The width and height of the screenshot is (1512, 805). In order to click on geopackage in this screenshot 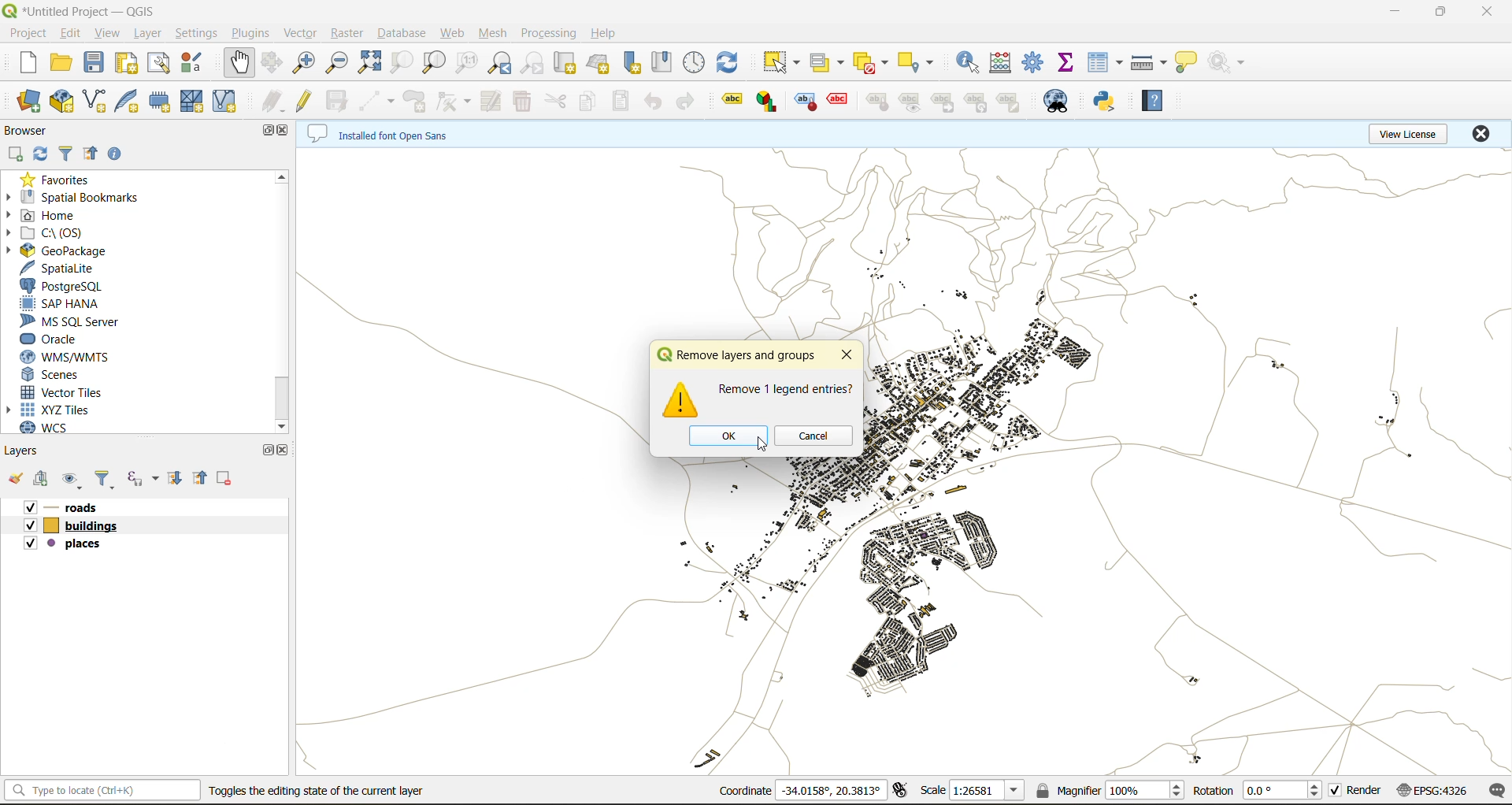, I will do `click(66, 253)`.